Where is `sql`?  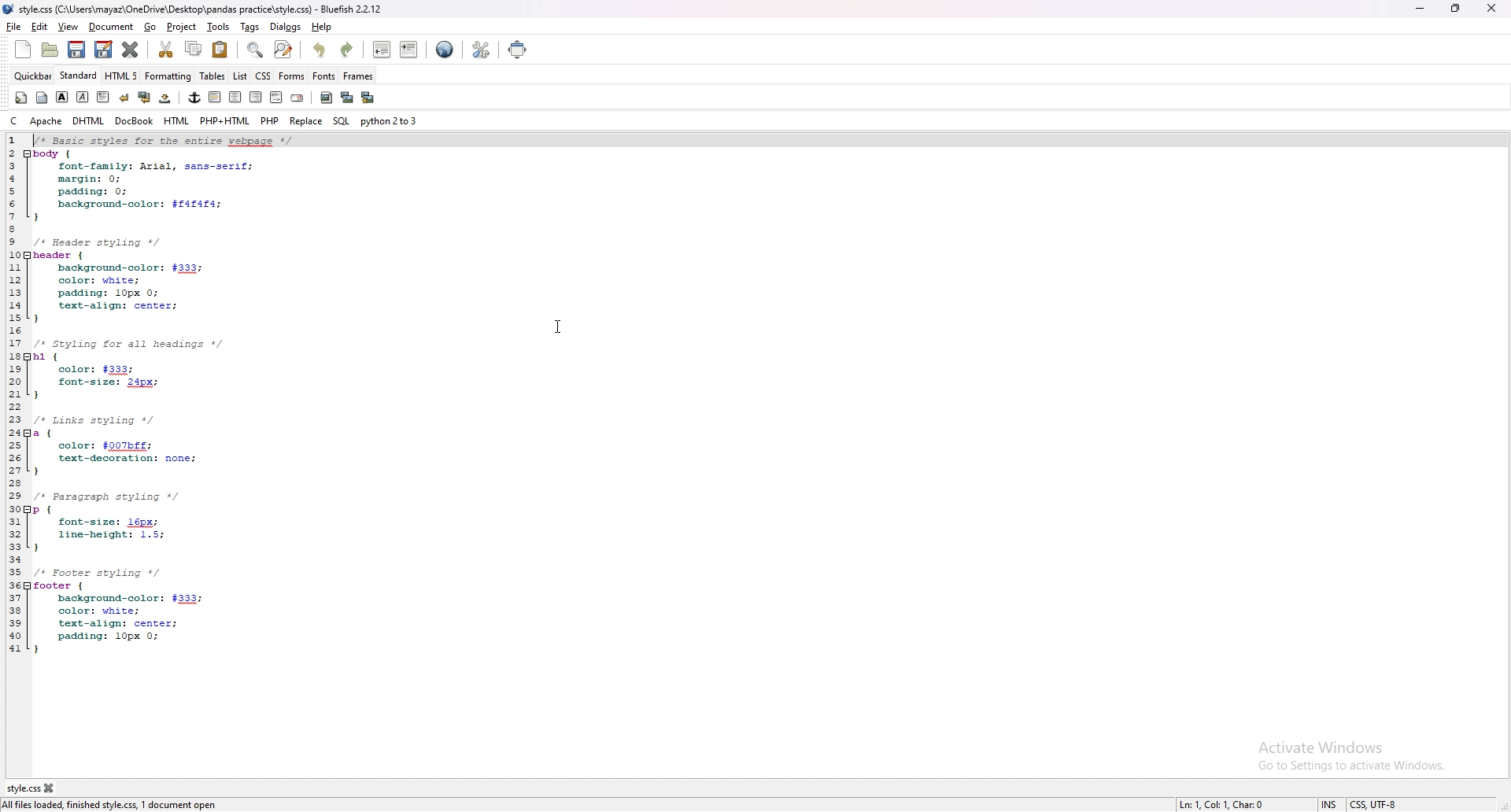 sql is located at coordinates (342, 120).